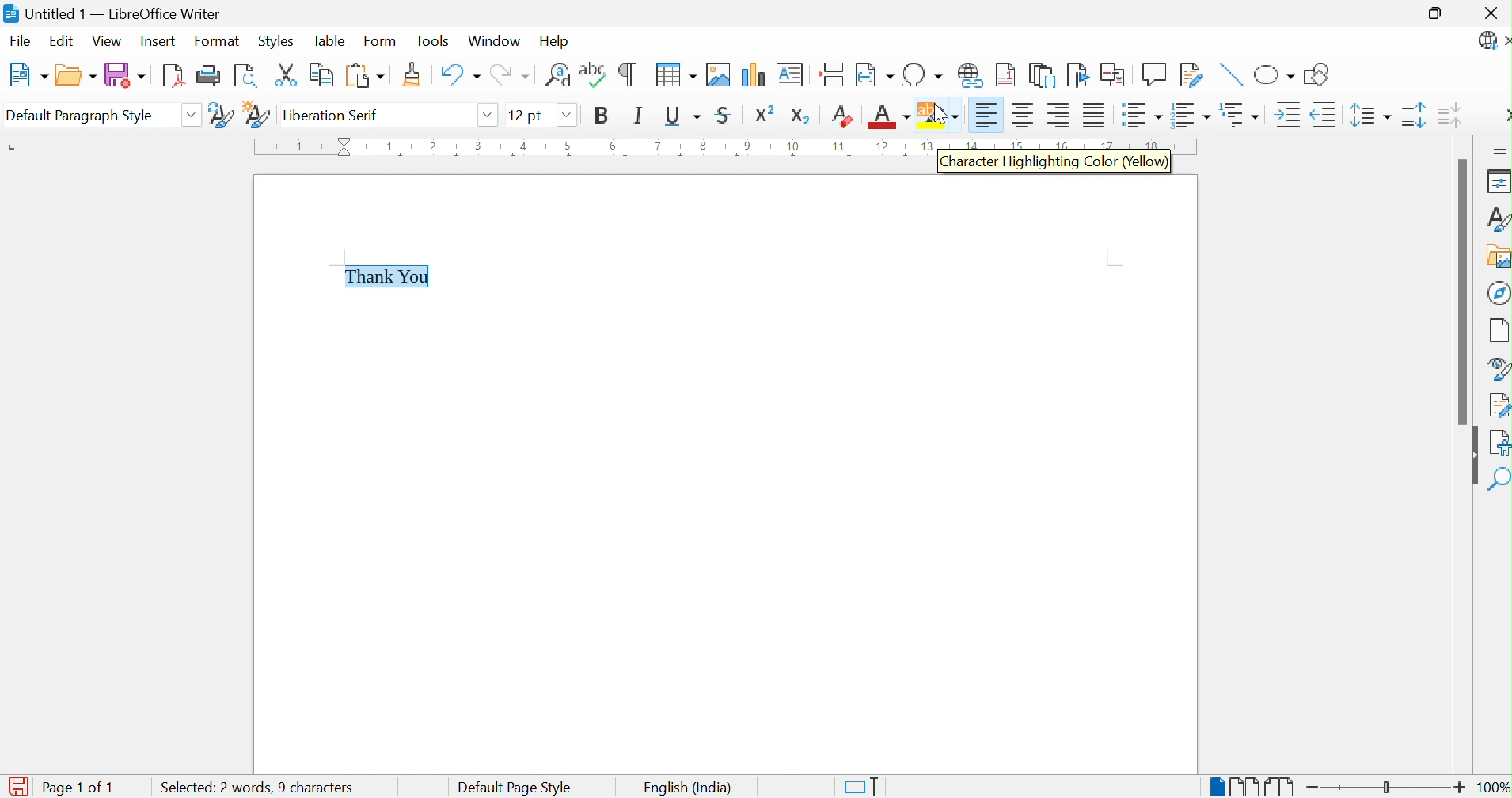  What do you see at coordinates (971, 76) in the screenshot?
I see `Insert Hyperlink` at bounding box center [971, 76].